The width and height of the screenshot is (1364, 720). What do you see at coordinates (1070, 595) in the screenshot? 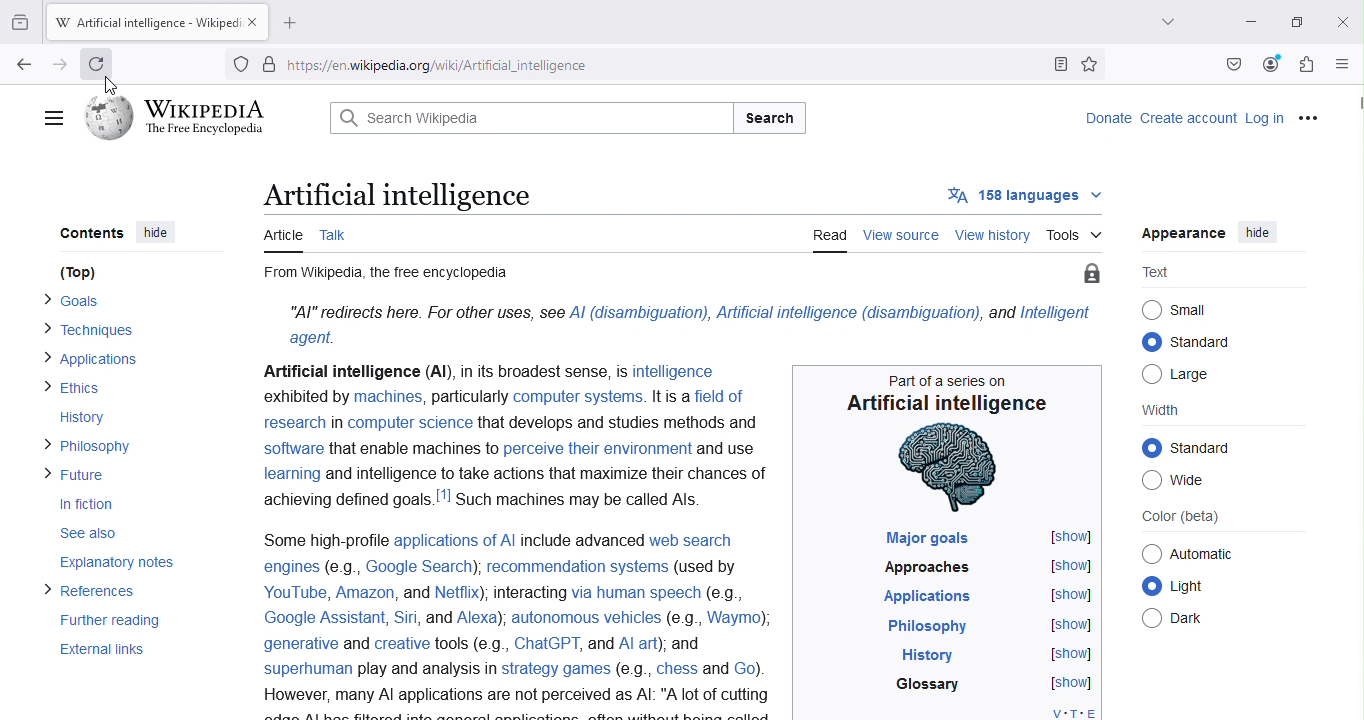
I see `[show]` at bounding box center [1070, 595].